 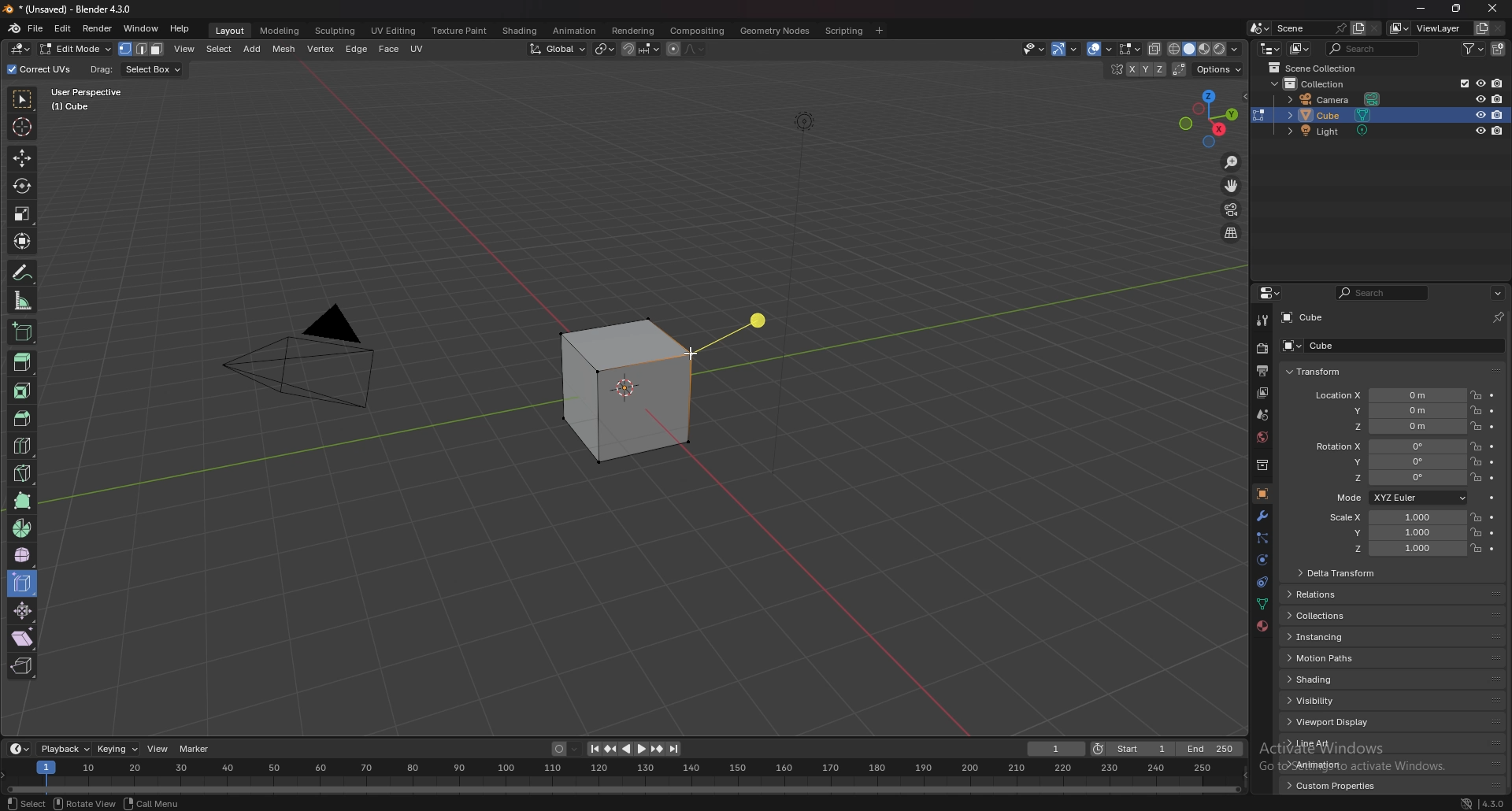 I want to click on physics, so click(x=1262, y=561).